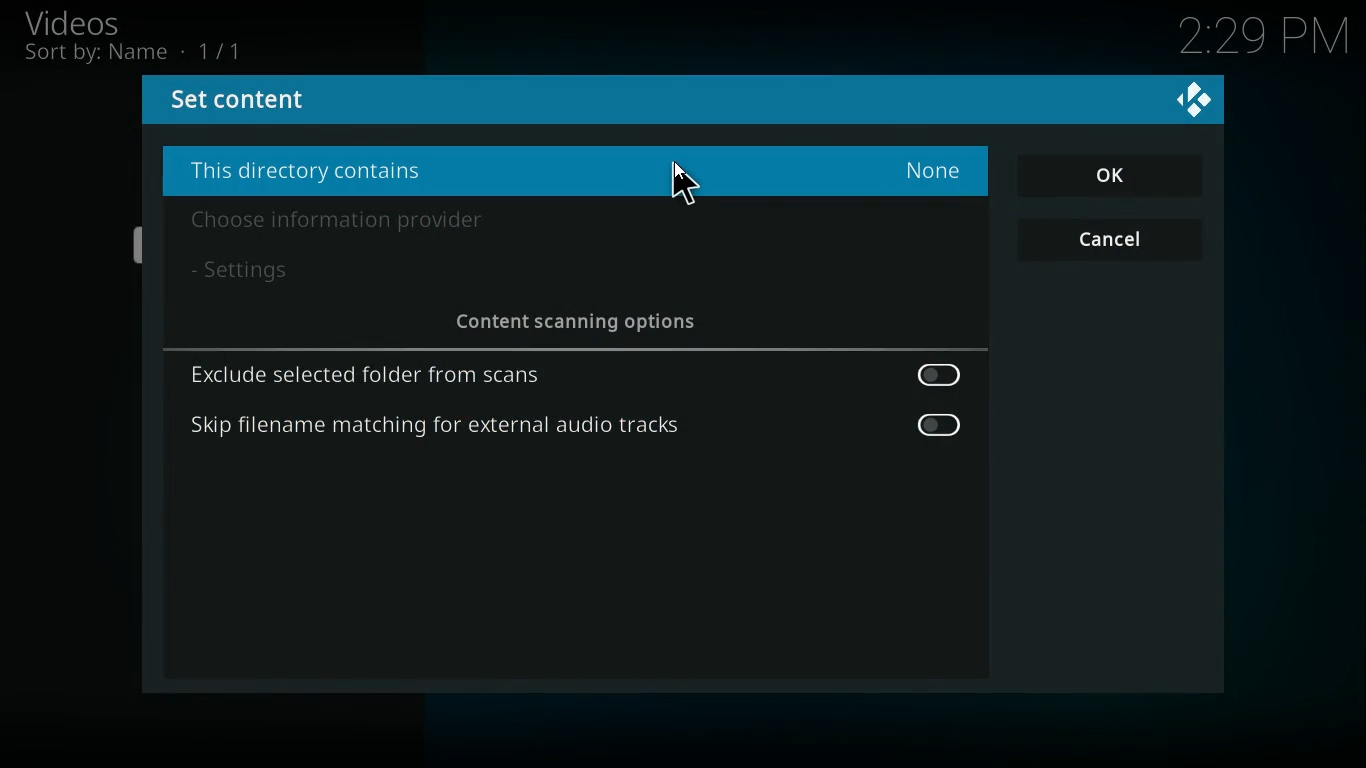 Image resolution: width=1366 pixels, height=768 pixels. What do you see at coordinates (1109, 242) in the screenshot?
I see `cancel` at bounding box center [1109, 242].